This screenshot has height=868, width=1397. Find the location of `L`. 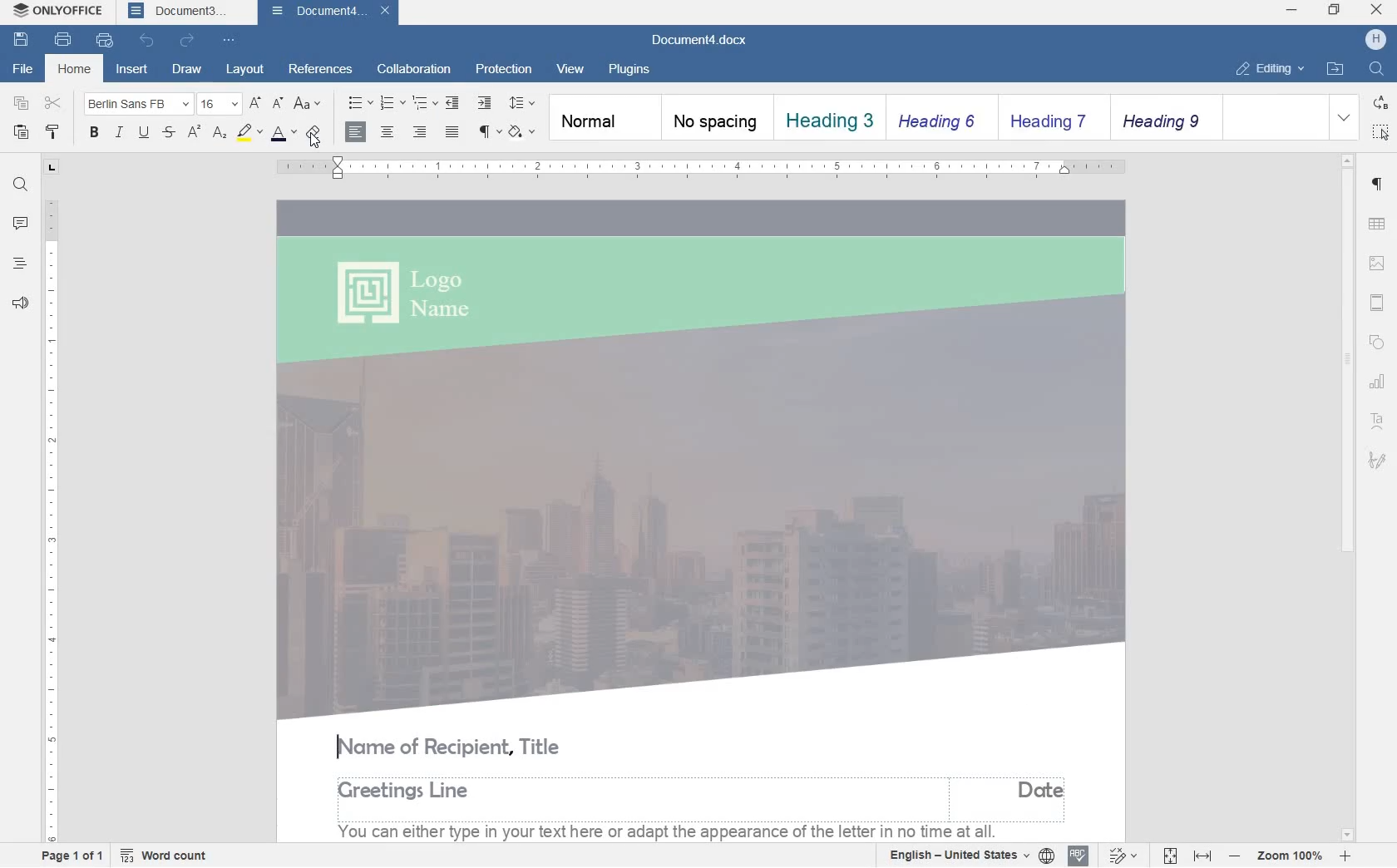

L is located at coordinates (50, 168).